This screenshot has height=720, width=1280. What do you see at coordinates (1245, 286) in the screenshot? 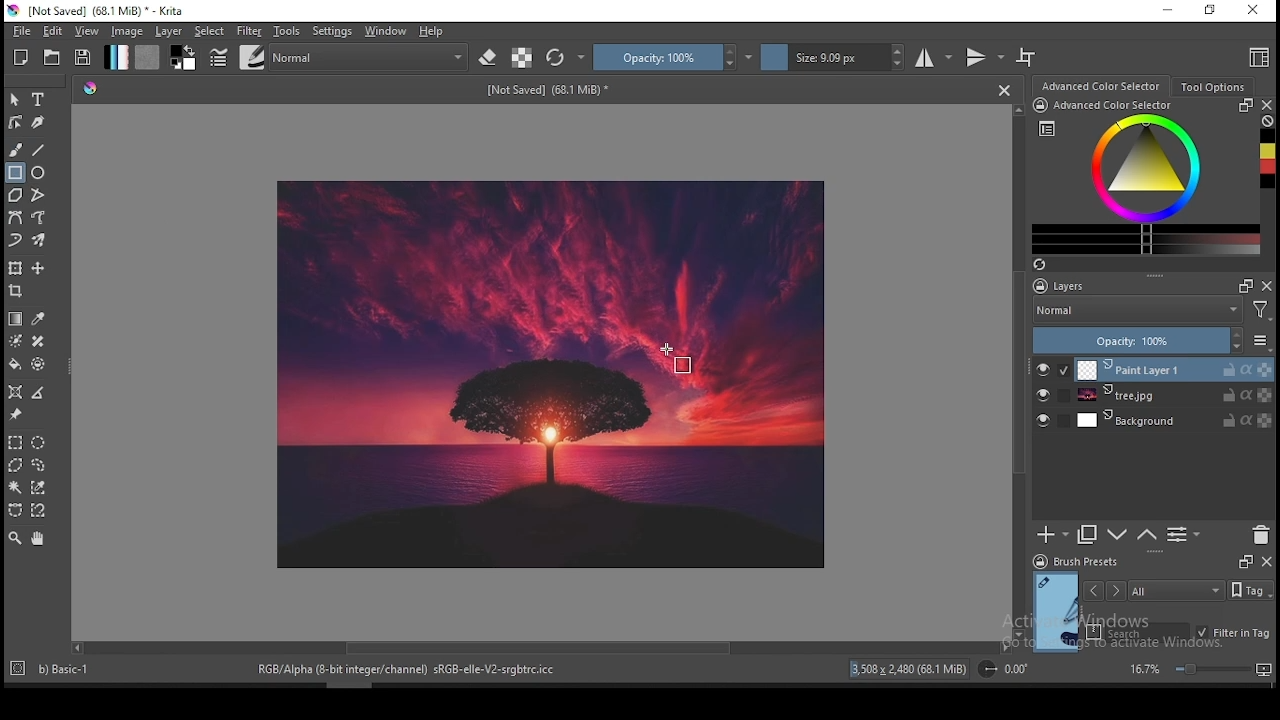
I see `Frame` at bounding box center [1245, 286].